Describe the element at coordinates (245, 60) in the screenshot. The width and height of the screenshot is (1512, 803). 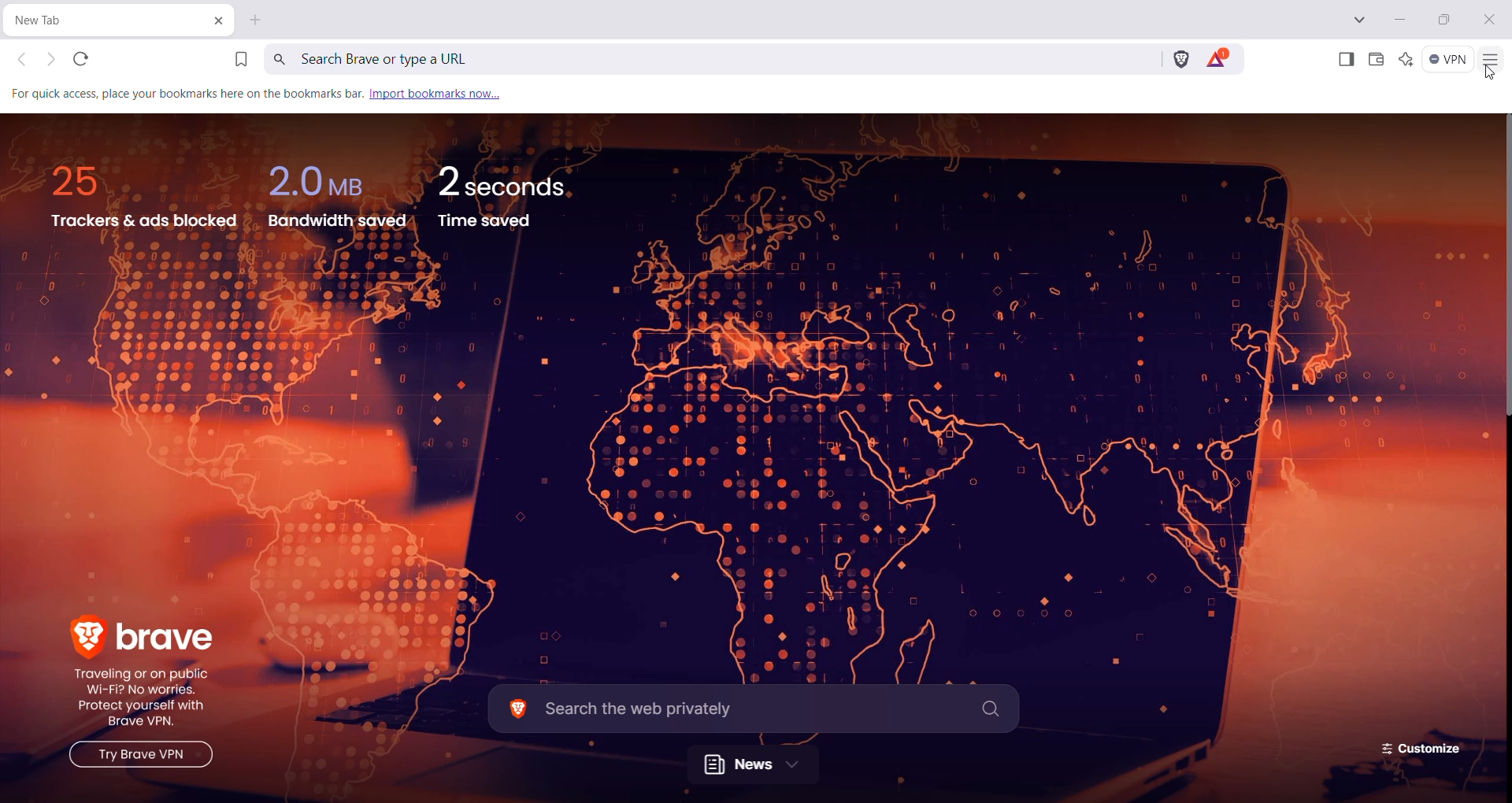
I see `Bookmark this Tab` at that location.